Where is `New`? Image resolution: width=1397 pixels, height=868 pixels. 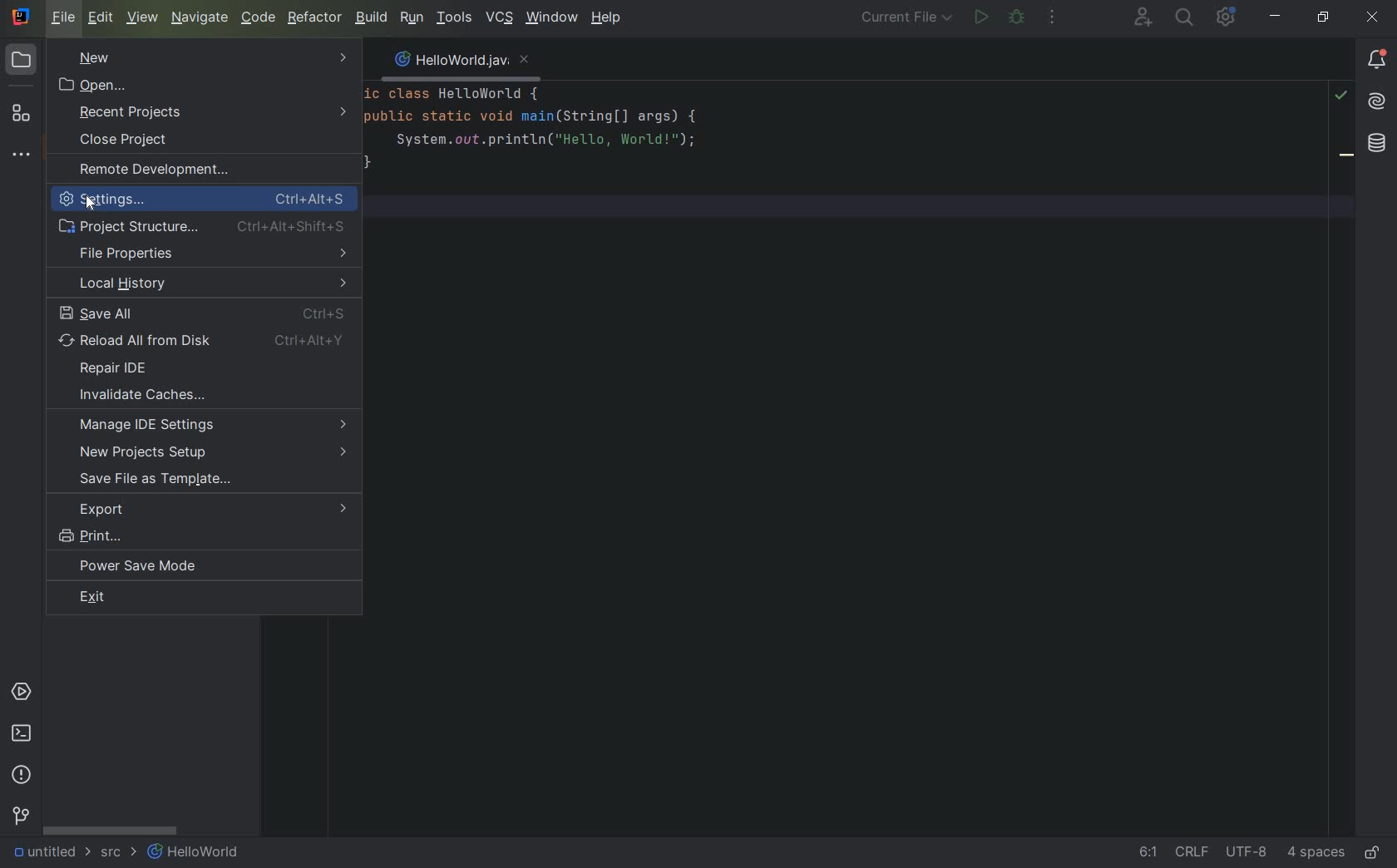
New is located at coordinates (205, 57).